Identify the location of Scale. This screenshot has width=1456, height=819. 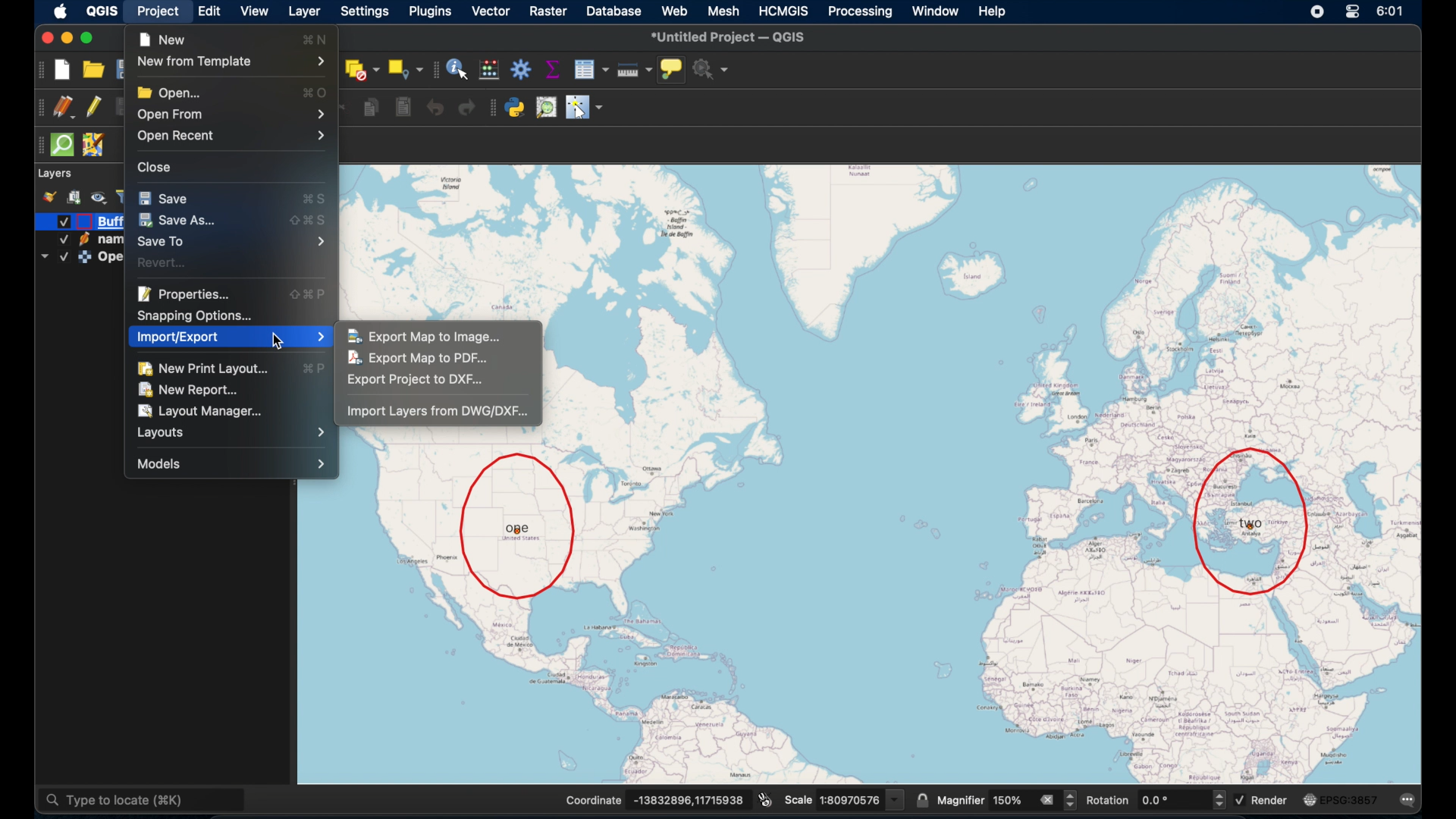
(799, 800).